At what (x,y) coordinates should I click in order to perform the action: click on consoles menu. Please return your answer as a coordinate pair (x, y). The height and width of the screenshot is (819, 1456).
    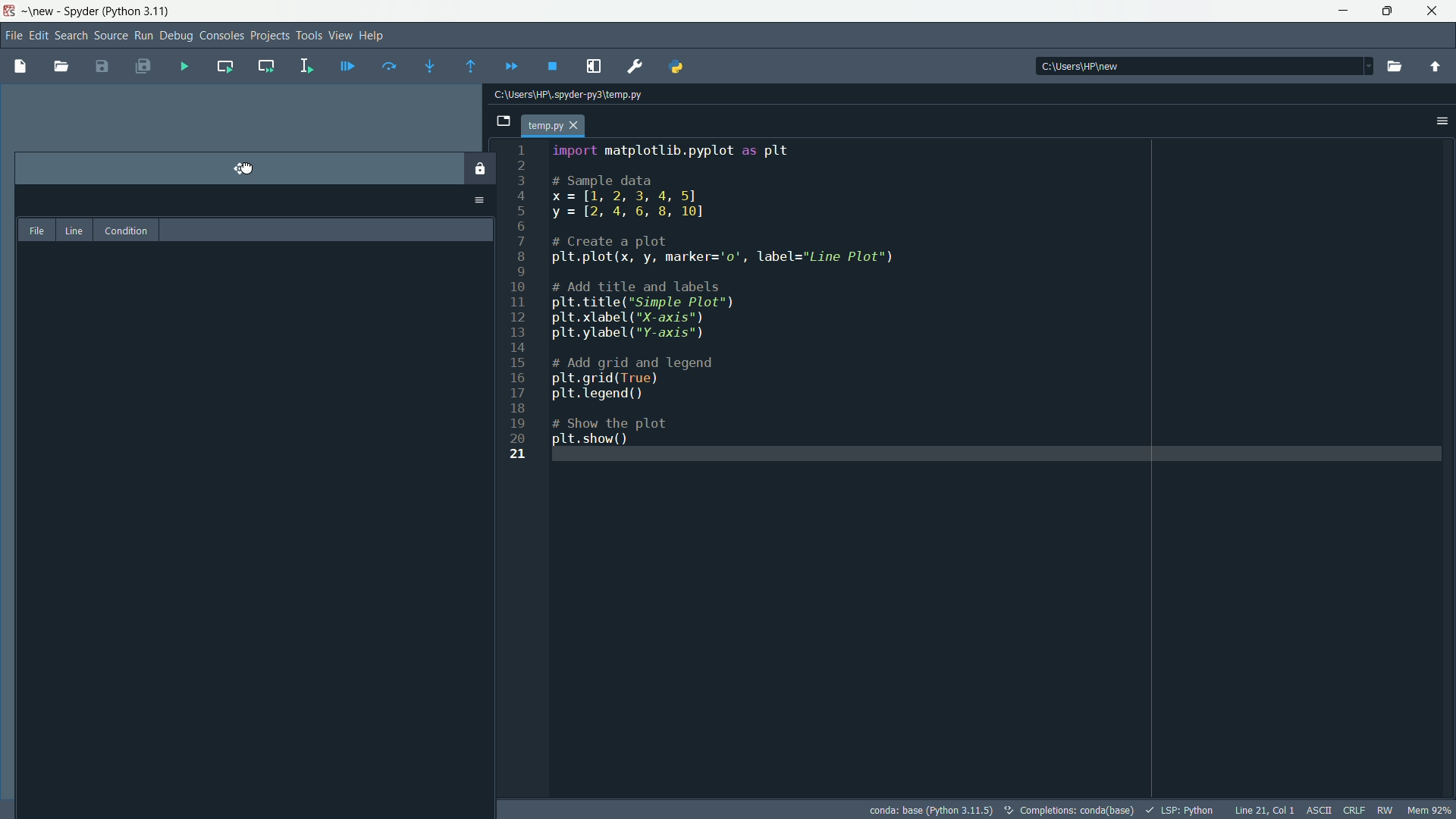
    Looking at the image, I should click on (221, 35).